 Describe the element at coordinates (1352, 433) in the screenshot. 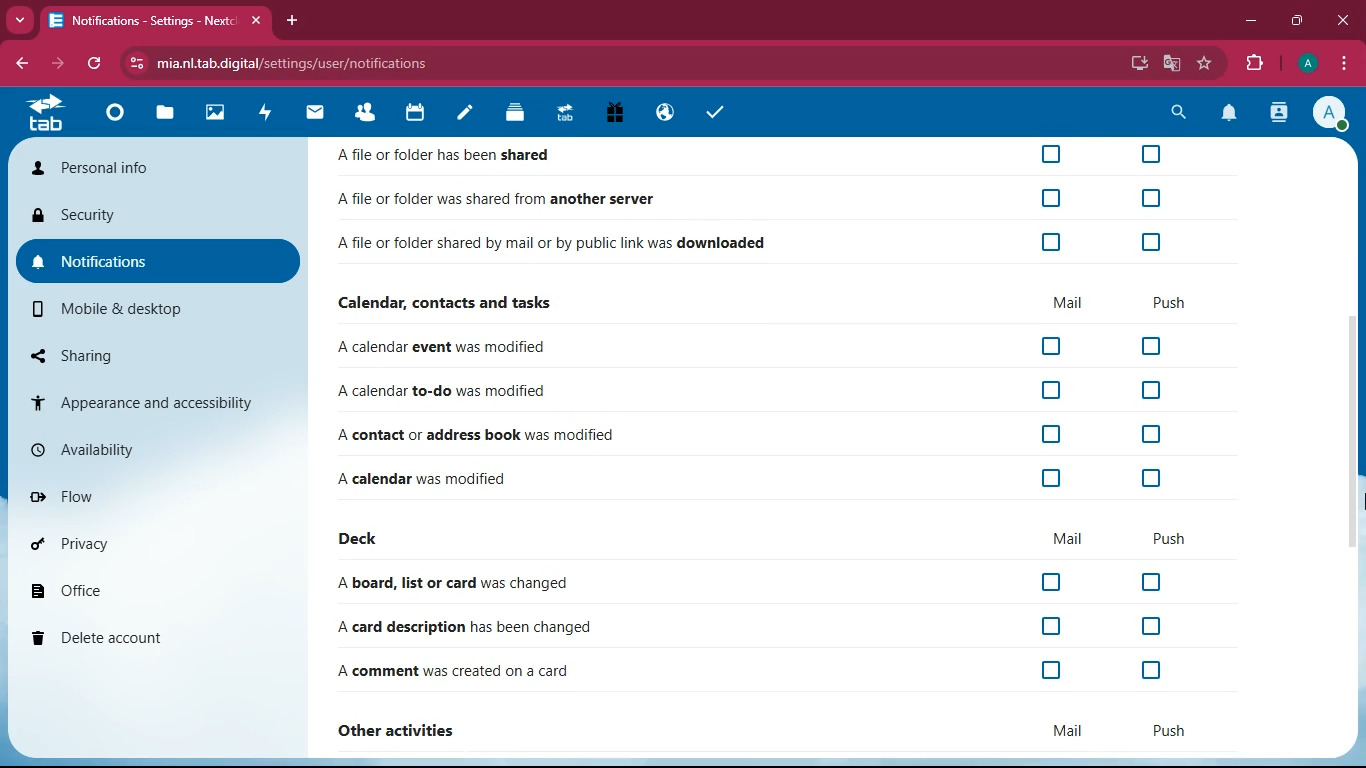

I see `Scroll bar` at that location.